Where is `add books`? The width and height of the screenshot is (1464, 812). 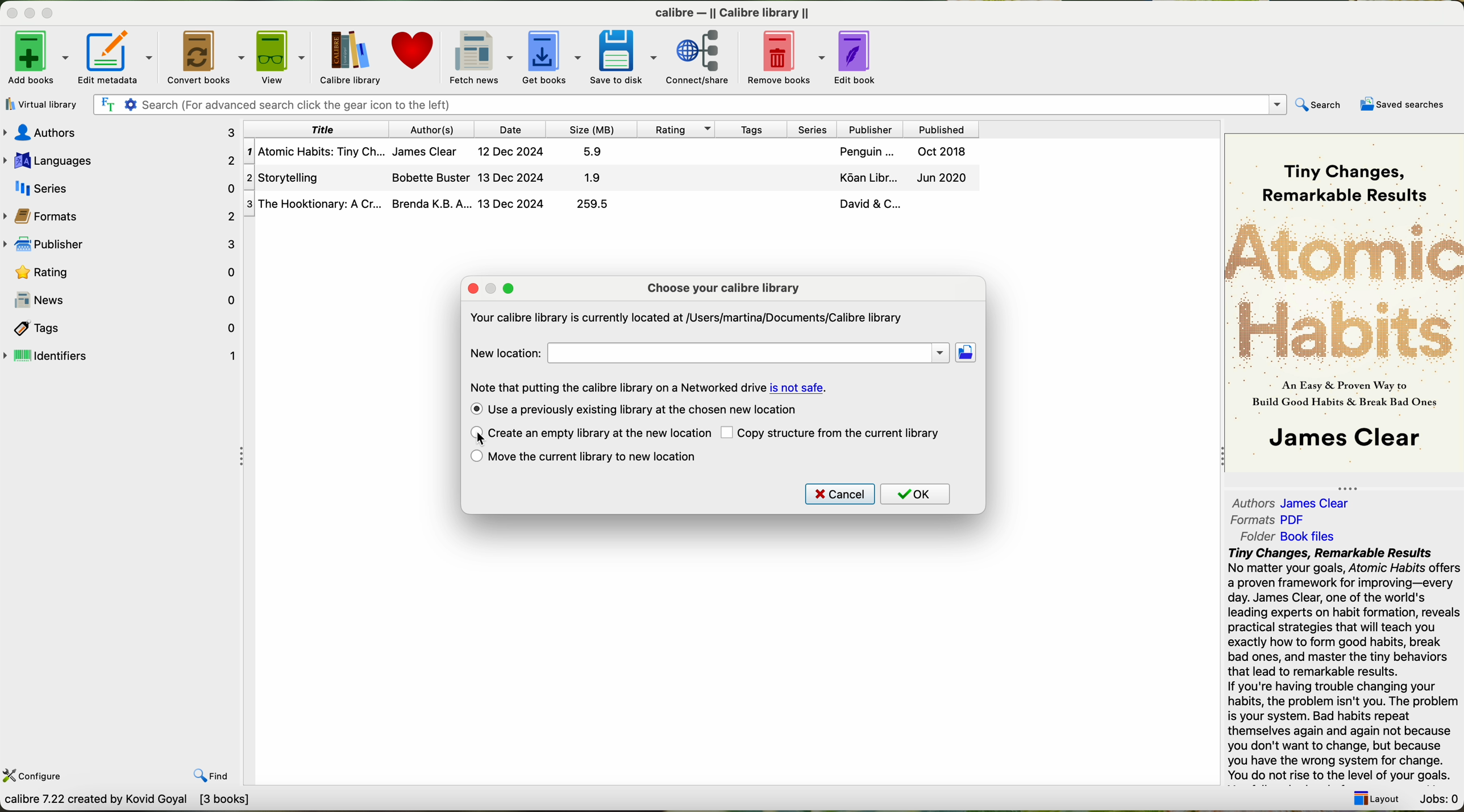
add books is located at coordinates (36, 60).